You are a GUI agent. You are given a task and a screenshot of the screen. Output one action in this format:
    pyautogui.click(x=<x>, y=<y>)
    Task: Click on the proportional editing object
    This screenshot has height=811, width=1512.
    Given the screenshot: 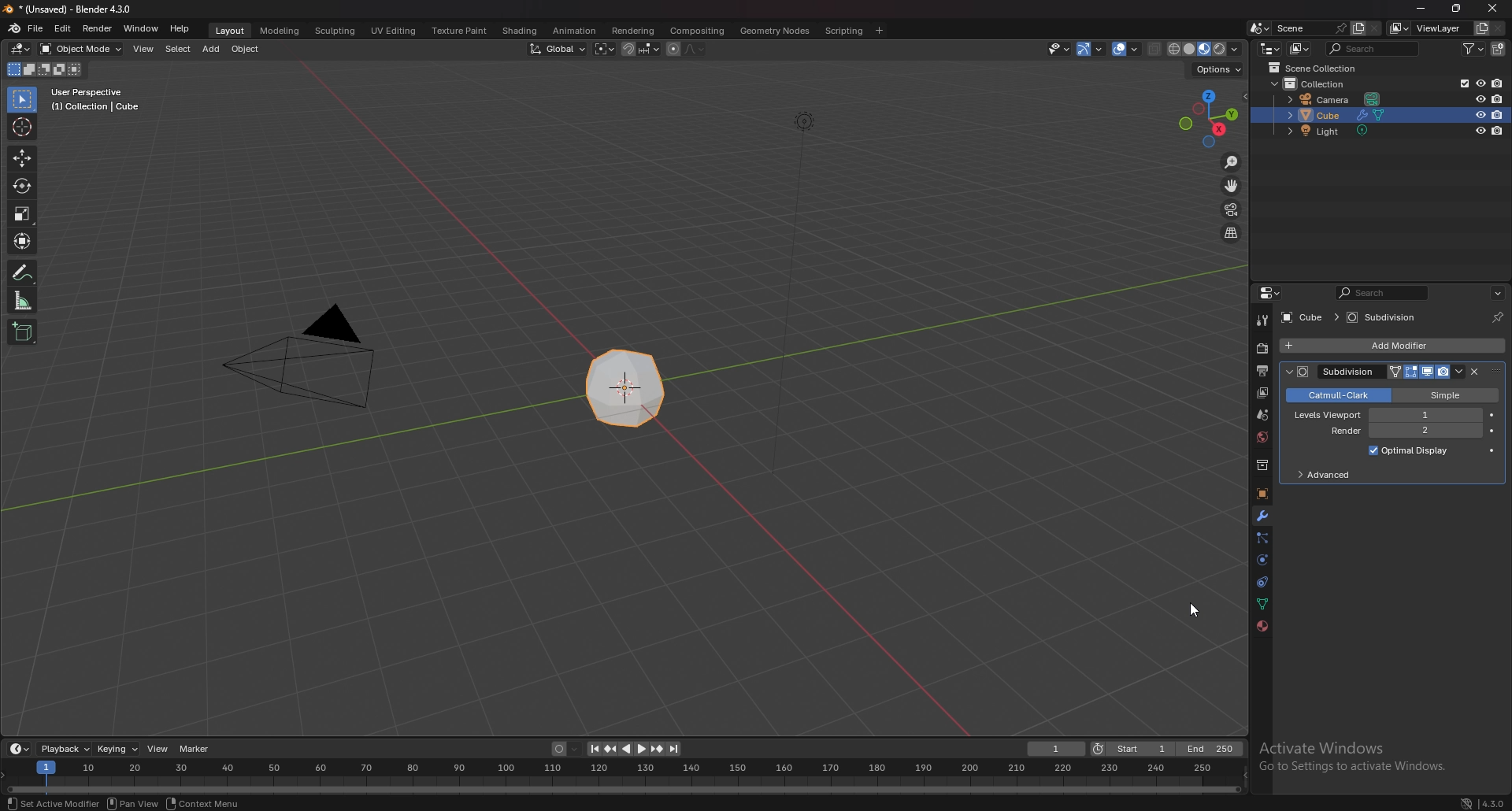 What is the action you would take?
    pyautogui.click(x=673, y=50)
    